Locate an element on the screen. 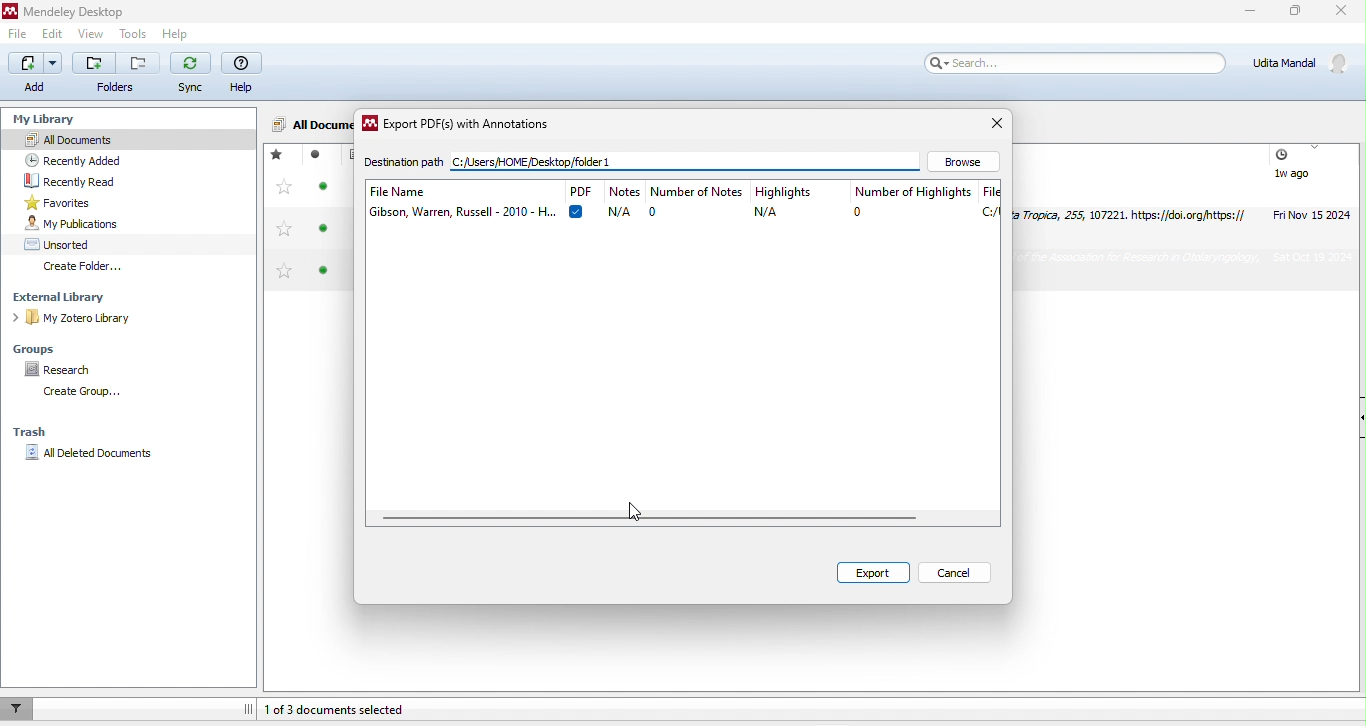 The width and height of the screenshot is (1366, 726). export pdf with annotations is located at coordinates (461, 127).